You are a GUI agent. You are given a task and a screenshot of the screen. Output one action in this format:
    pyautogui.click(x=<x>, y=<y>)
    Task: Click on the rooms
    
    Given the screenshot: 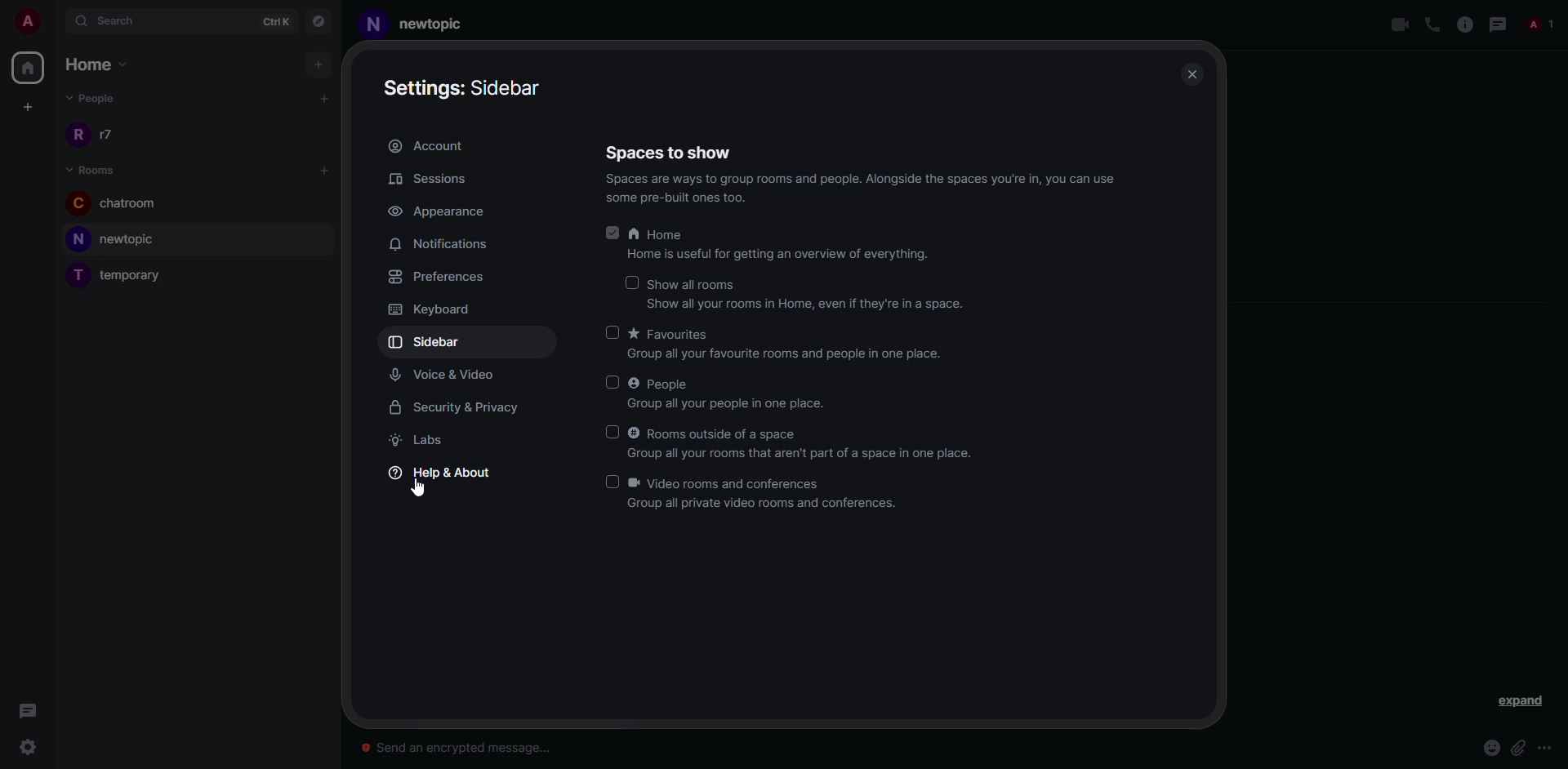 What is the action you would take?
    pyautogui.click(x=104, y=171)
    